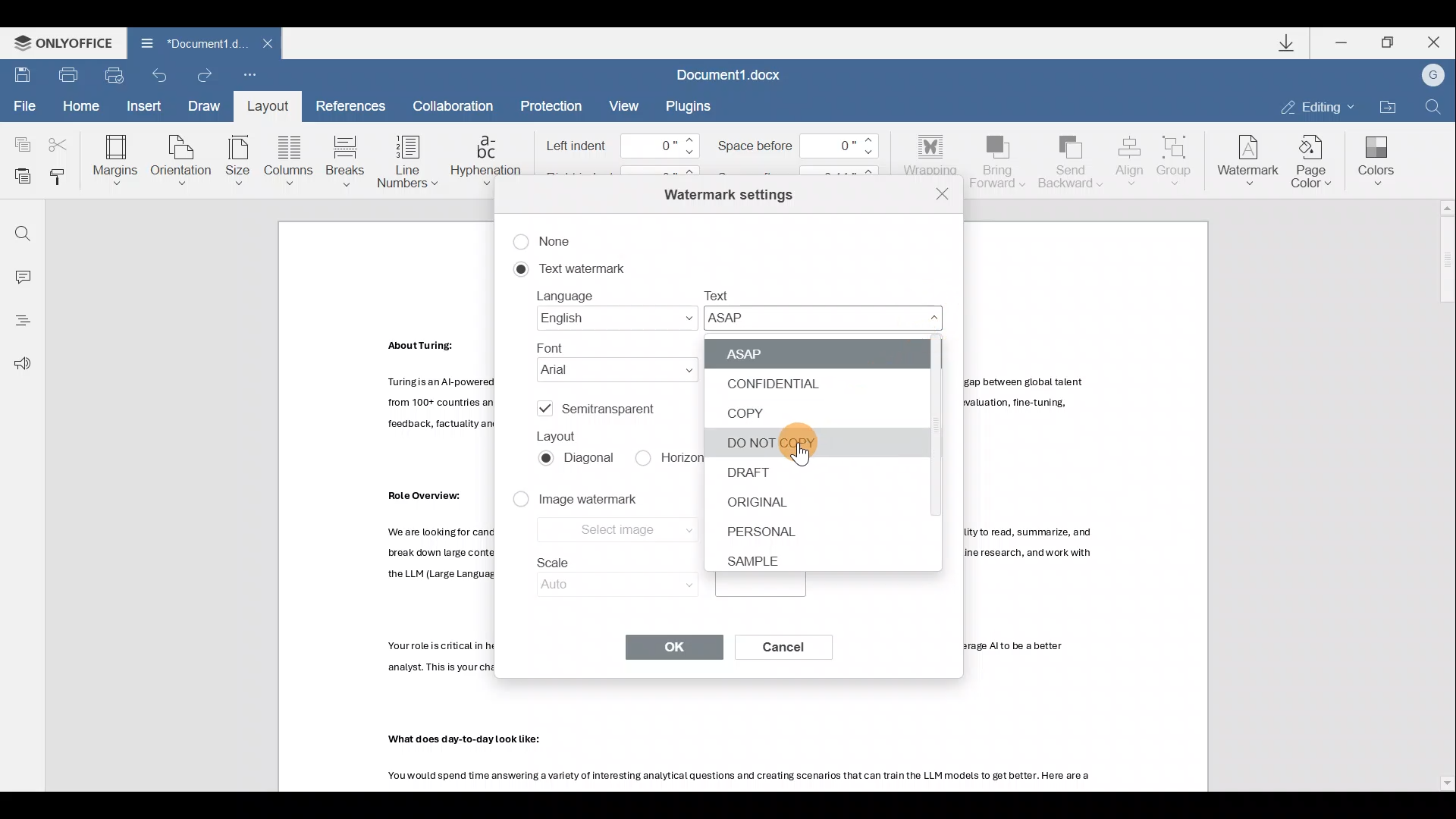 The width and height of the screenshot is (1456, 819). I want to click on , so click(468, 741).